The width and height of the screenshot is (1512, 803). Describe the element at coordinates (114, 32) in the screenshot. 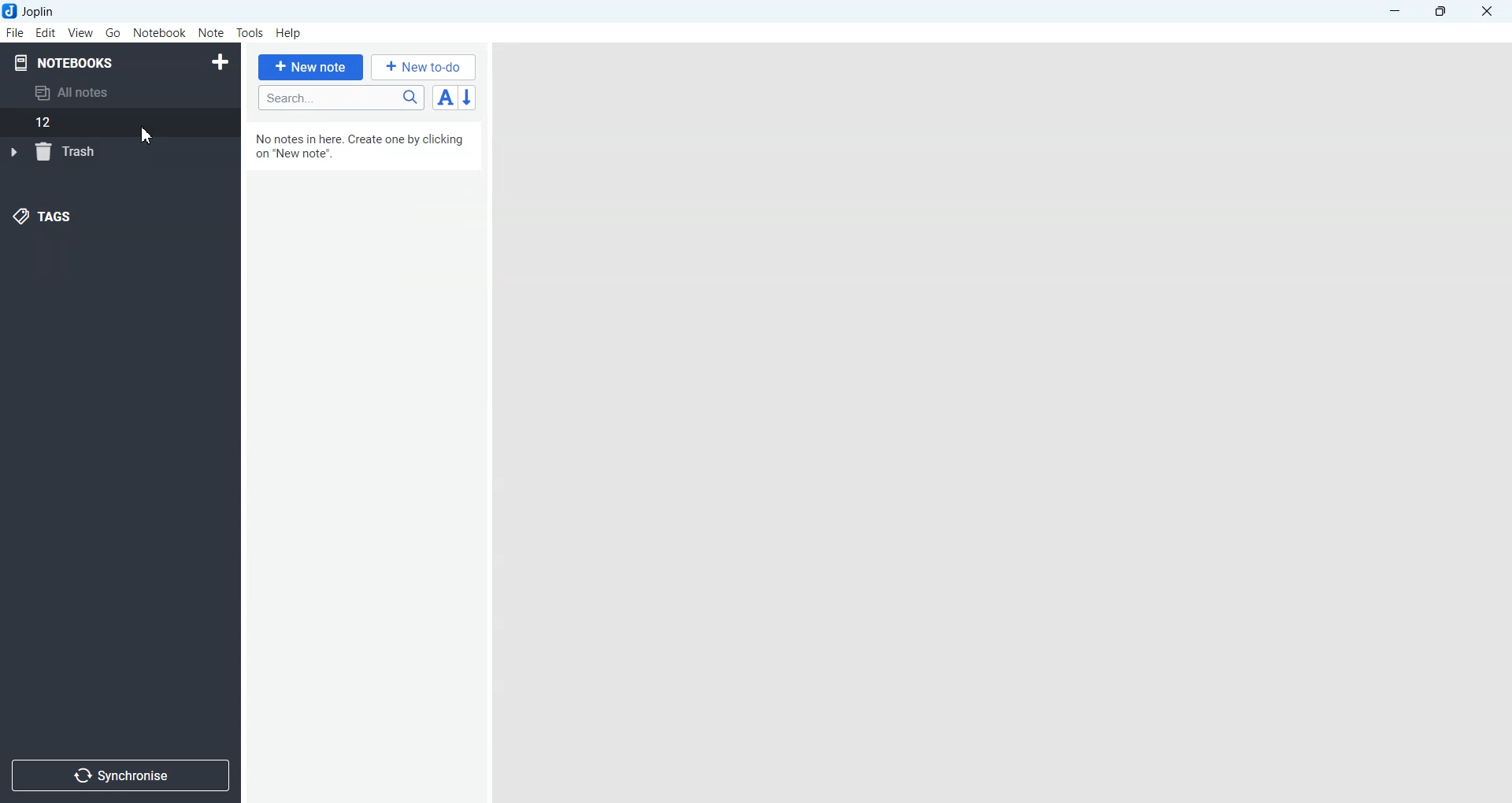

I see `Go` at that location.